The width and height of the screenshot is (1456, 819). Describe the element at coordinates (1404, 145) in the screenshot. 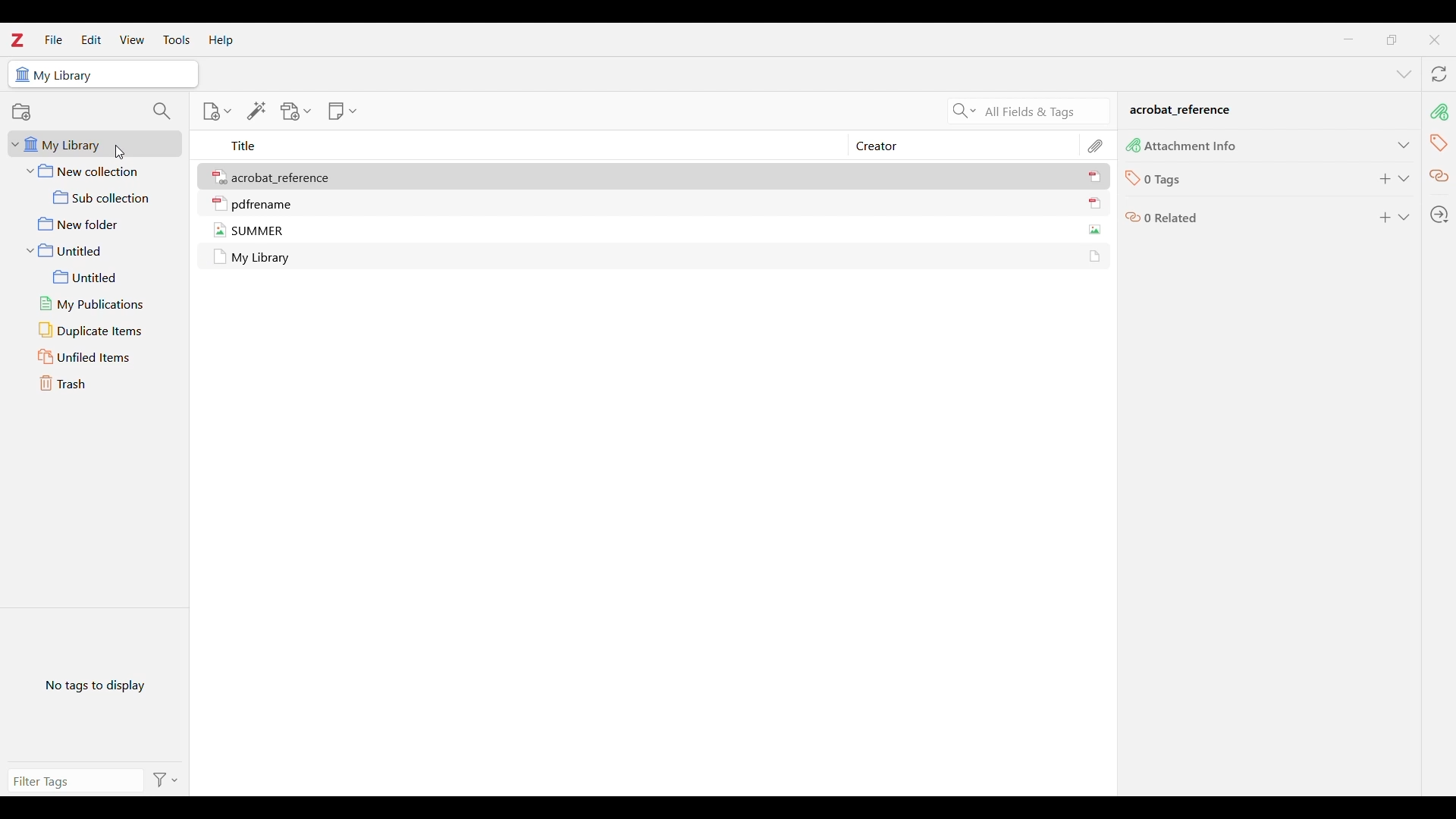

I see `Expand attachment info` at that location.